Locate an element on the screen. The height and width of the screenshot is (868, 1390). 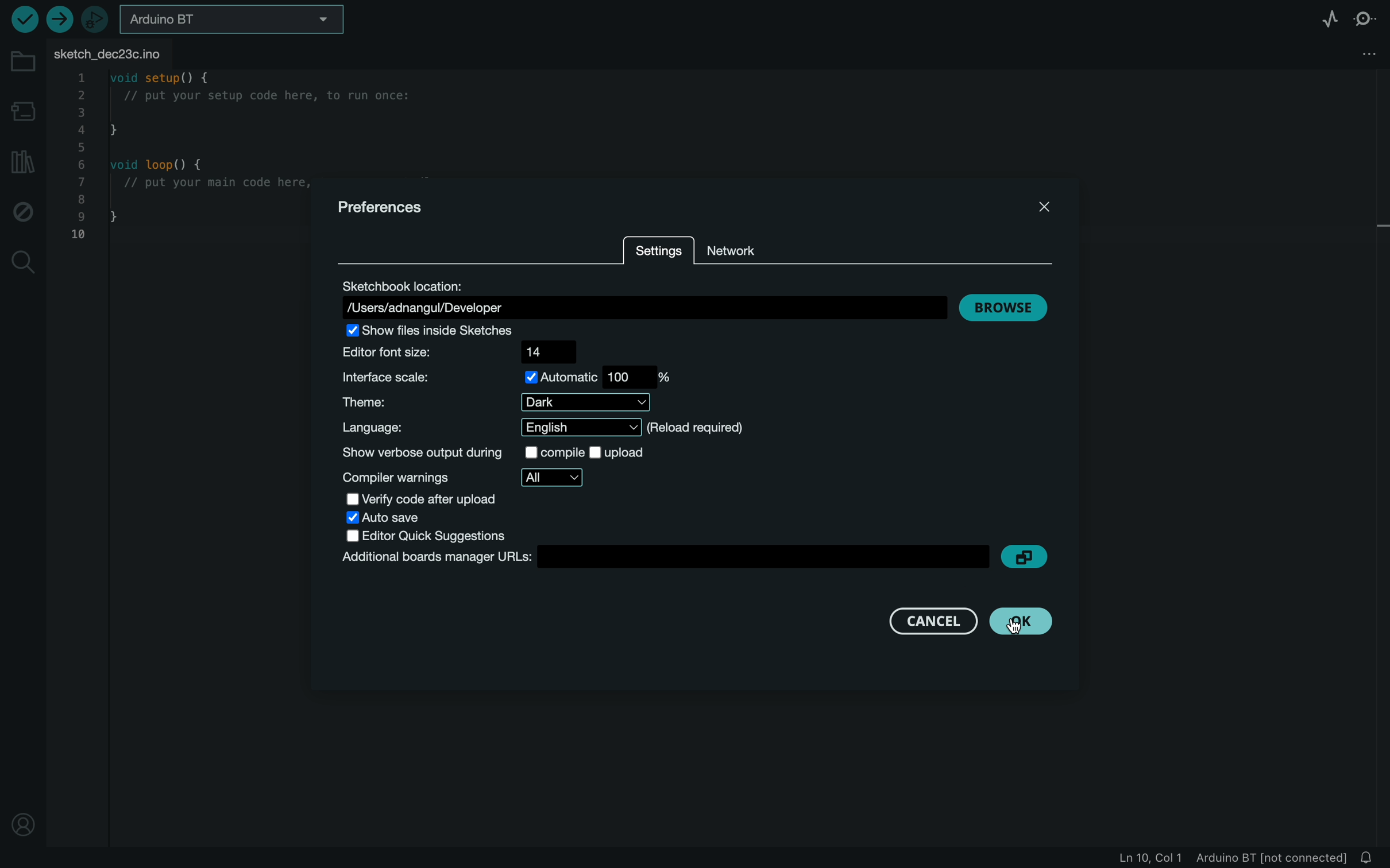
browse is located at coordinates (1004, 307).